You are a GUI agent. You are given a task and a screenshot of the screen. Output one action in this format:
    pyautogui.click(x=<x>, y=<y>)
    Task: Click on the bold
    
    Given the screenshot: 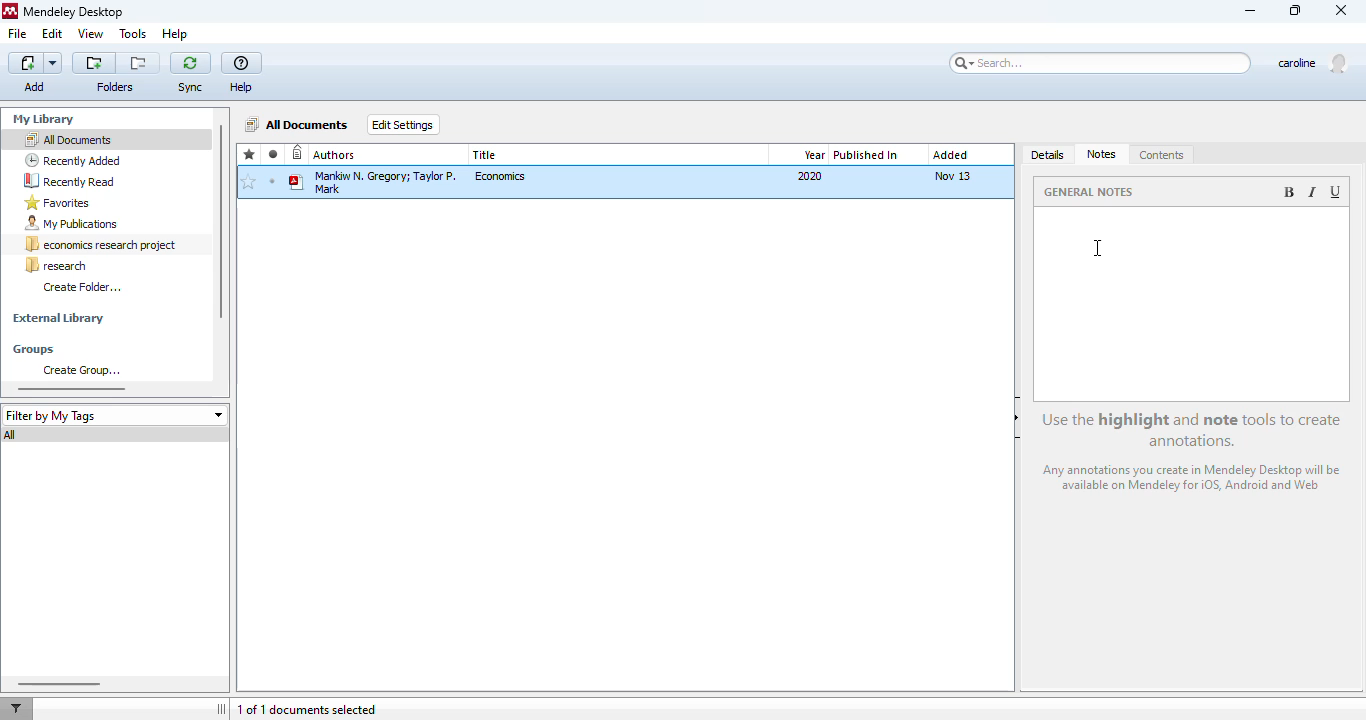 What is the action you would take?
    pyautogui.click(x=1288, y=192)
    